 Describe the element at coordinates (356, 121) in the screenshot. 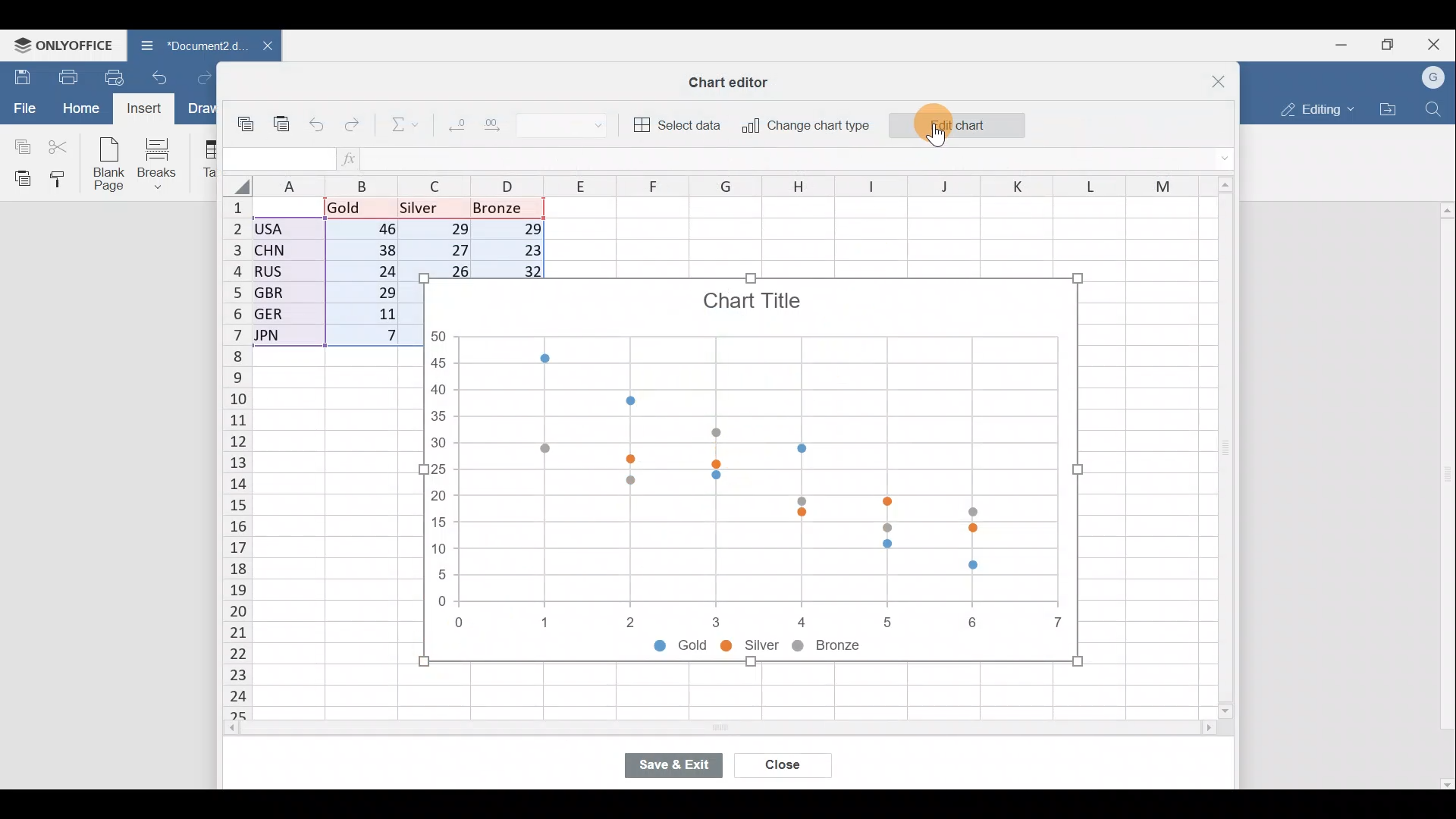

I see `Redo` at that location.